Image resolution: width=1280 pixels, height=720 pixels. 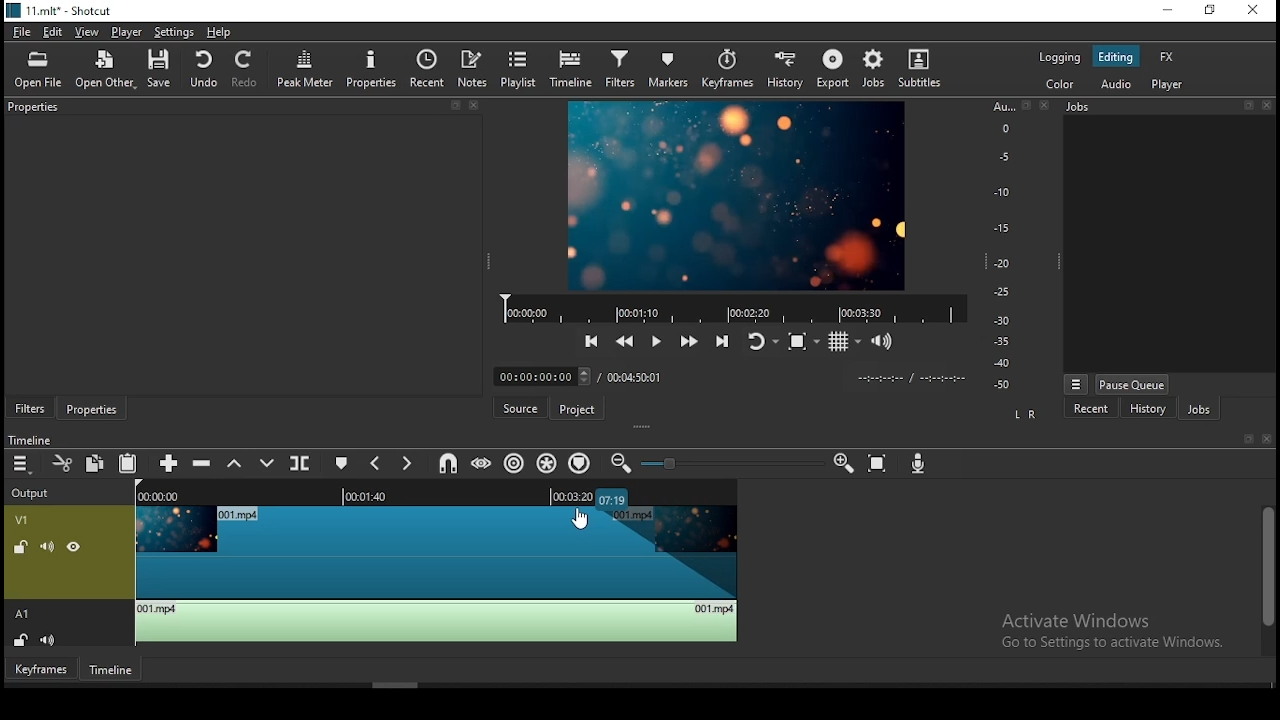 I want to click on minimize, so click(x=1171, y=11).